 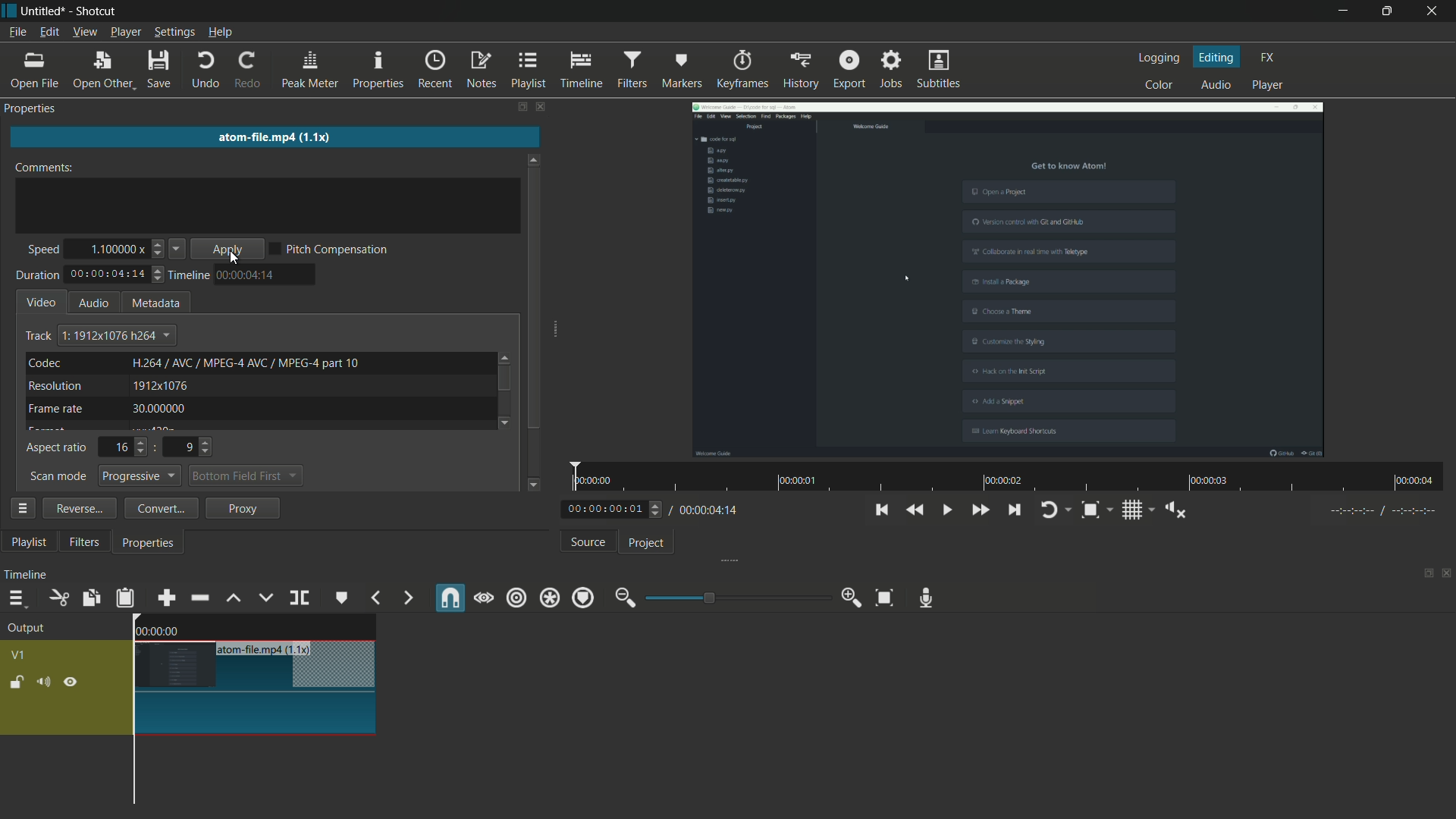 What do you see at coordinates (127, 447) in the screenshot?
I see `16` at bounding box center [127, 447].